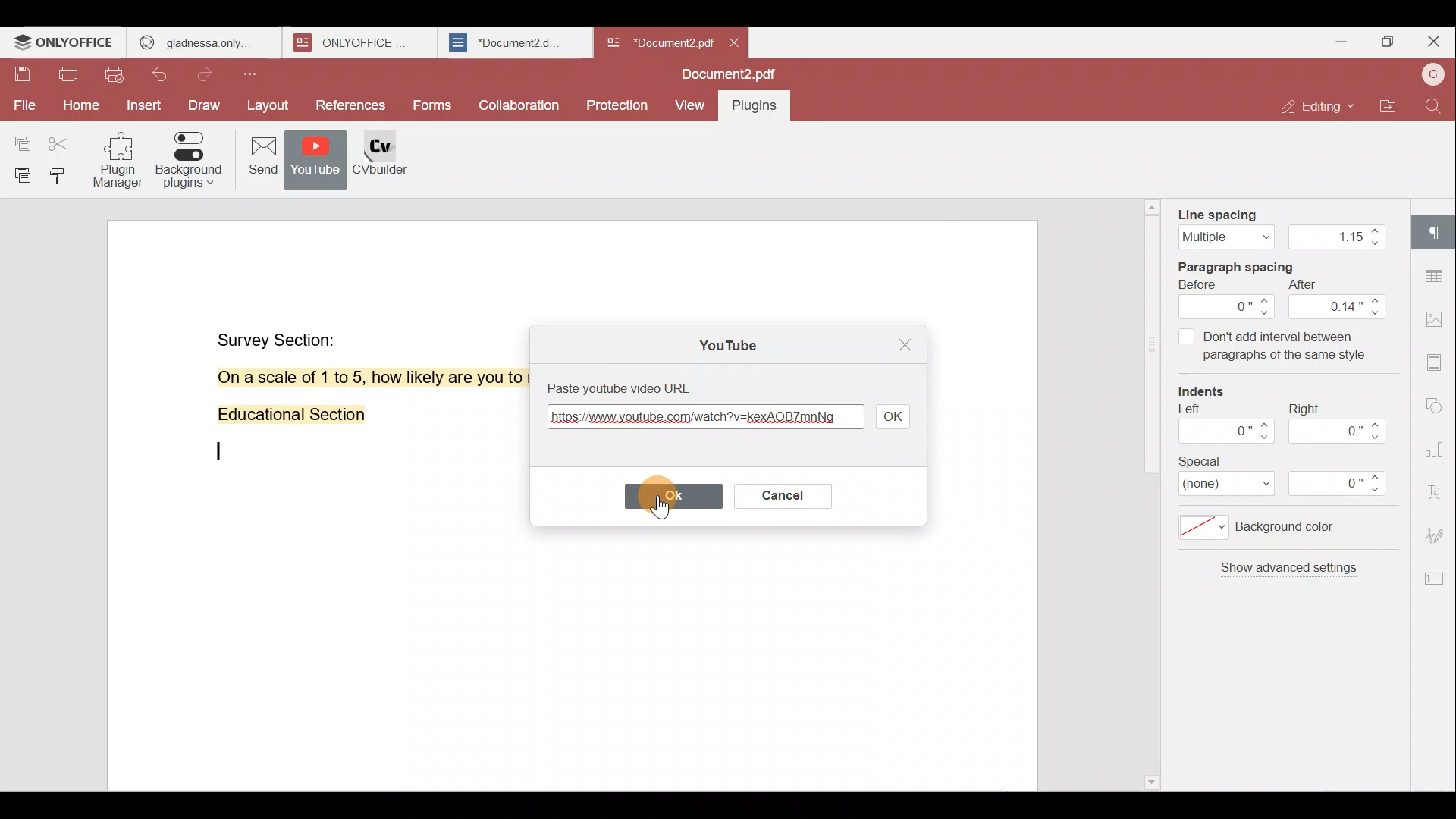 This screenshot has width=1456, height=819. I want to click on Paragraph settings, so click(1437, 231).